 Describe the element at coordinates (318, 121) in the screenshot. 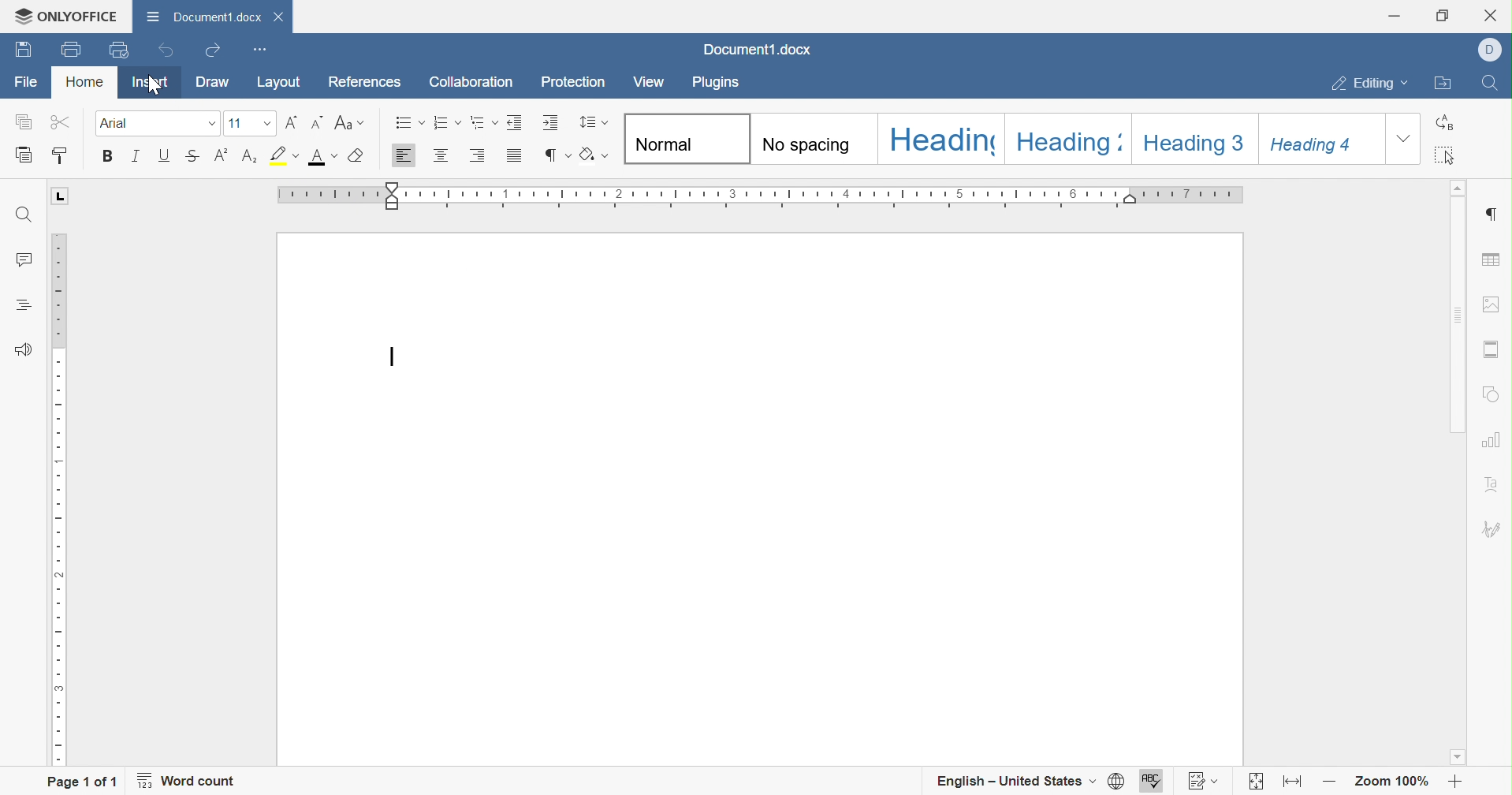

I see `Decrement font size` at that location.